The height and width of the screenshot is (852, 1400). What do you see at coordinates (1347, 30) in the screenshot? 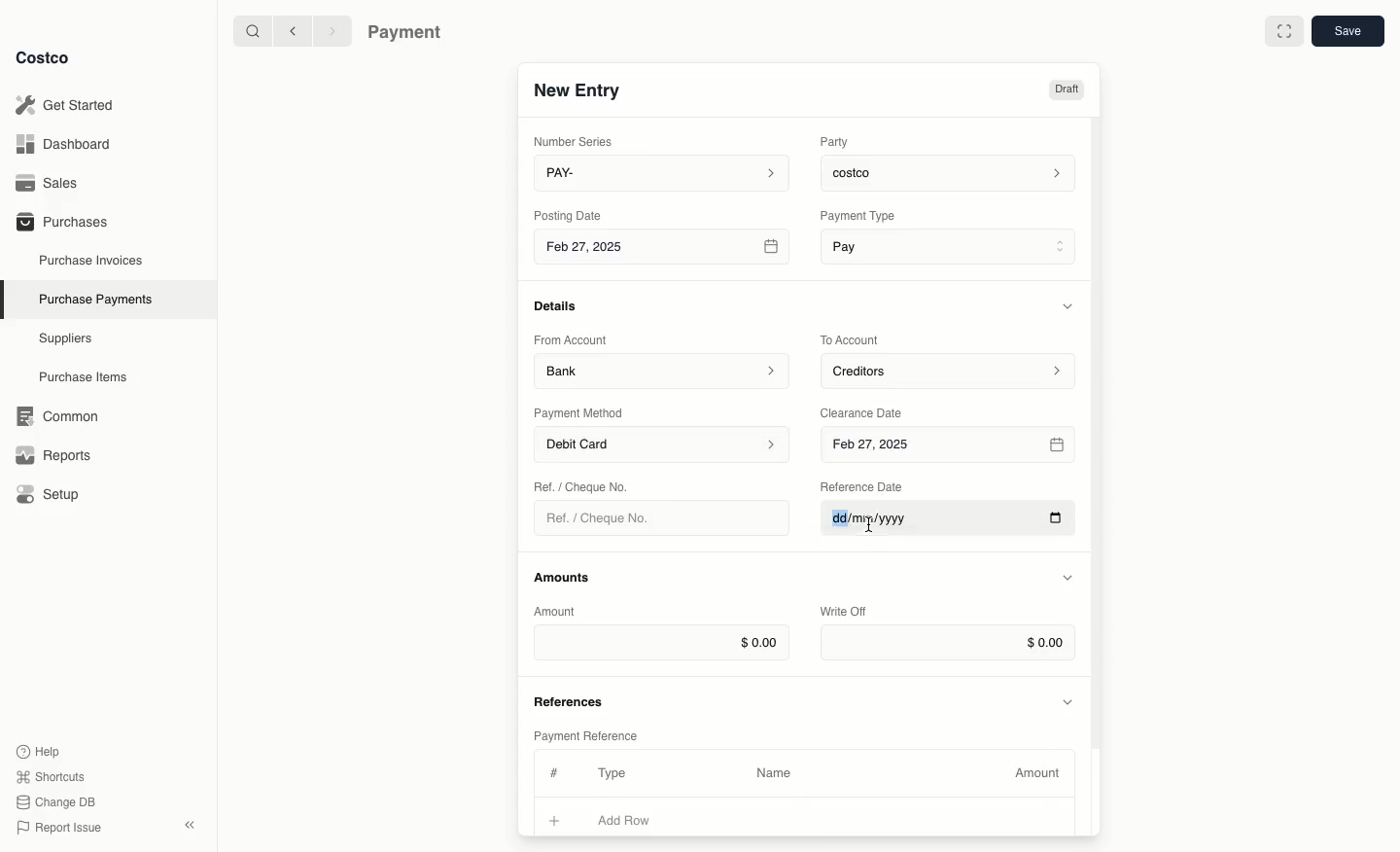
I see `Save` at bounding box center [1347, 30].